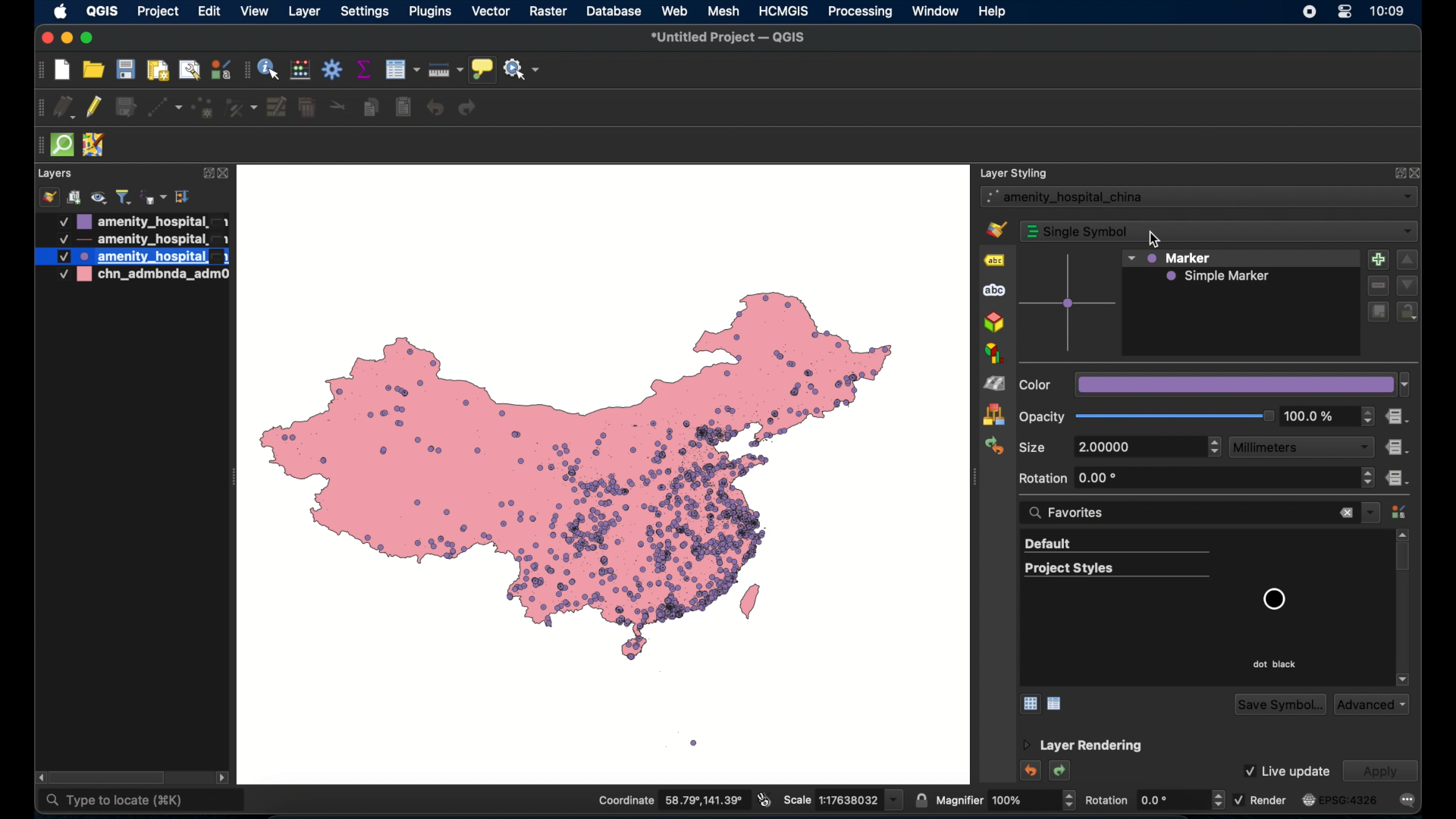  I want to click on remove, so click(1376, 286).